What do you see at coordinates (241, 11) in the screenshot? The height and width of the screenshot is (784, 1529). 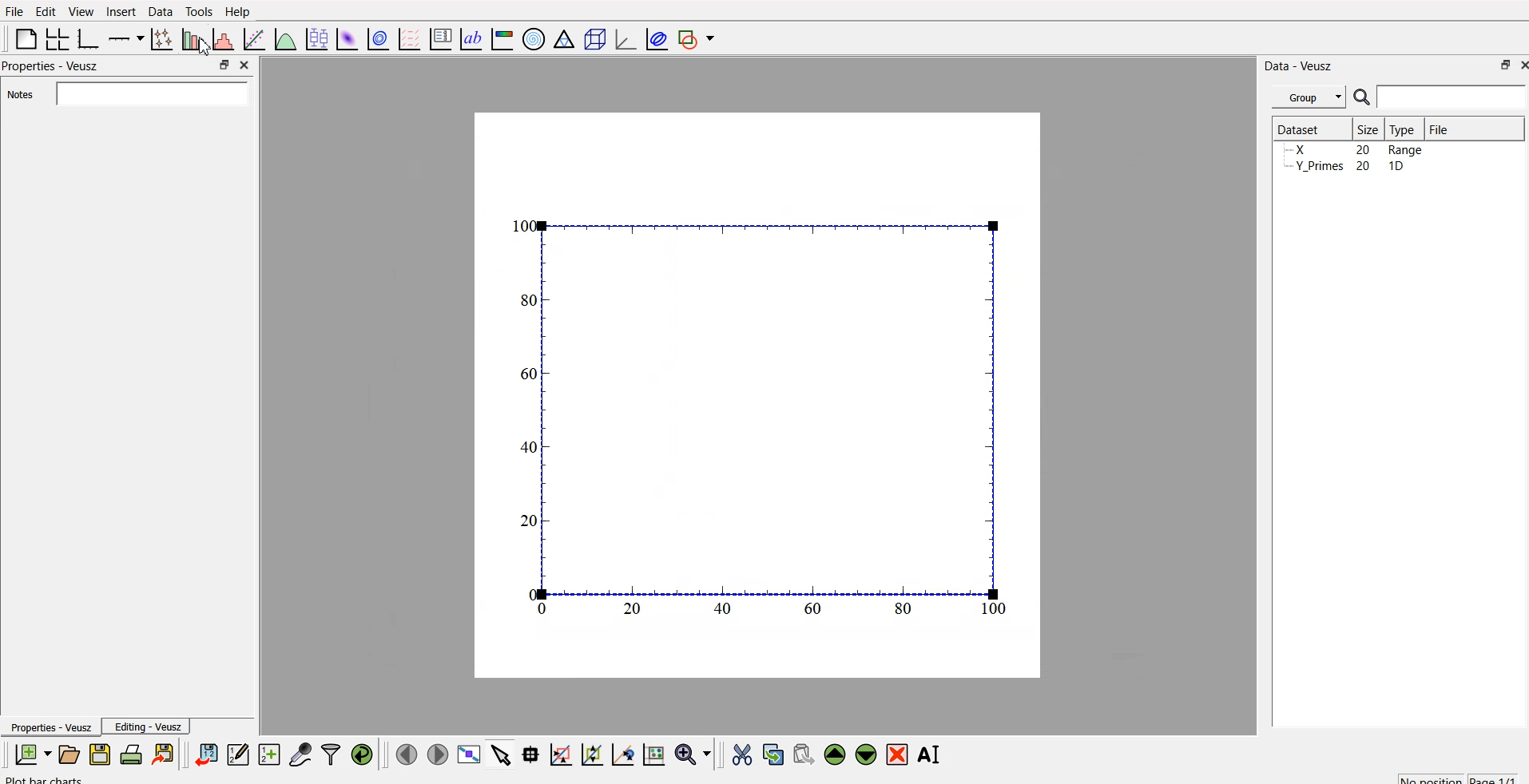 I see `Help` at bounding box center [241, 11].